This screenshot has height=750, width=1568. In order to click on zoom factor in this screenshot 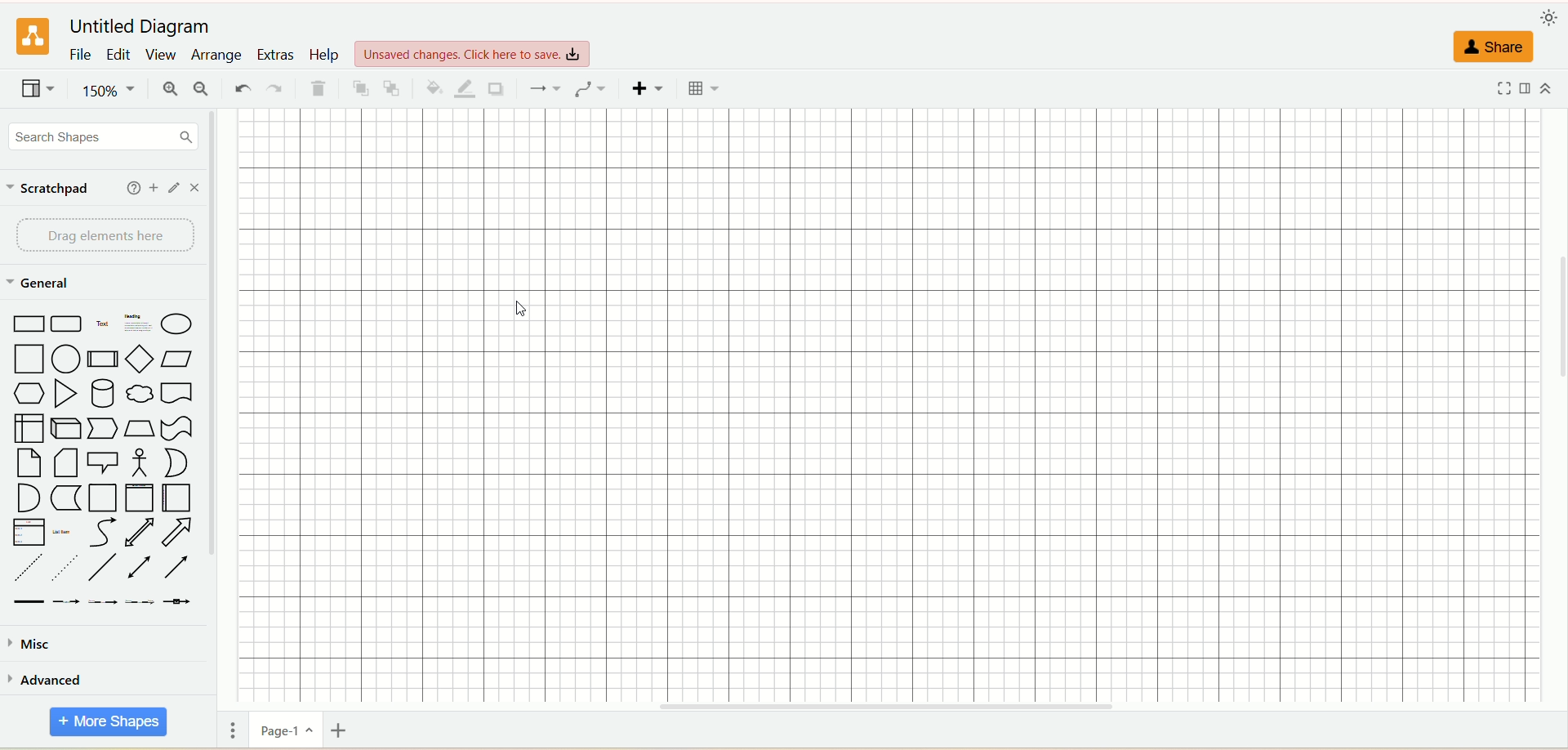, I will do `click(114, 93)`.